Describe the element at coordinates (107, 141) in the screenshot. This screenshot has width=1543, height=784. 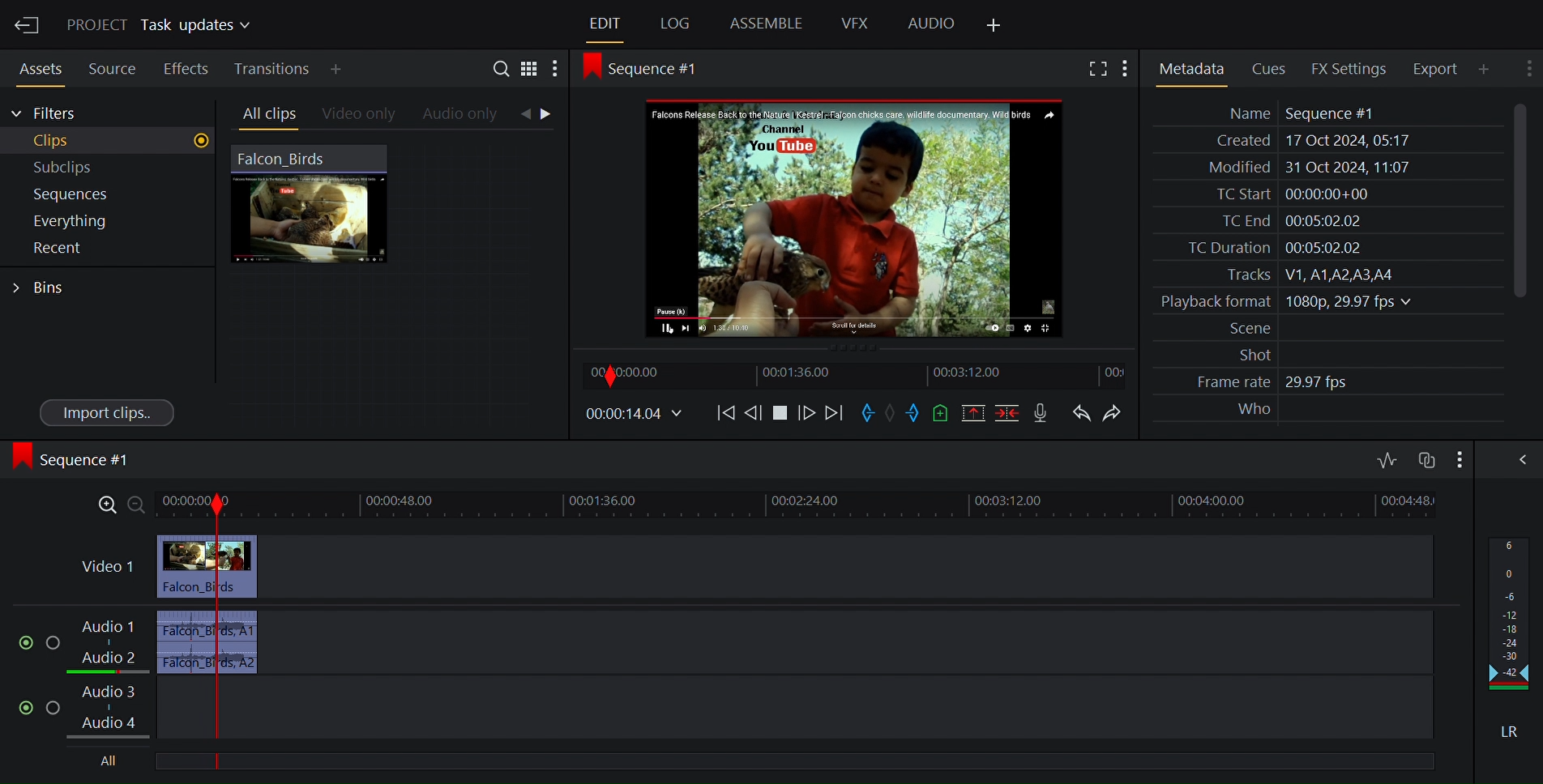
I see `Clips` at that location.